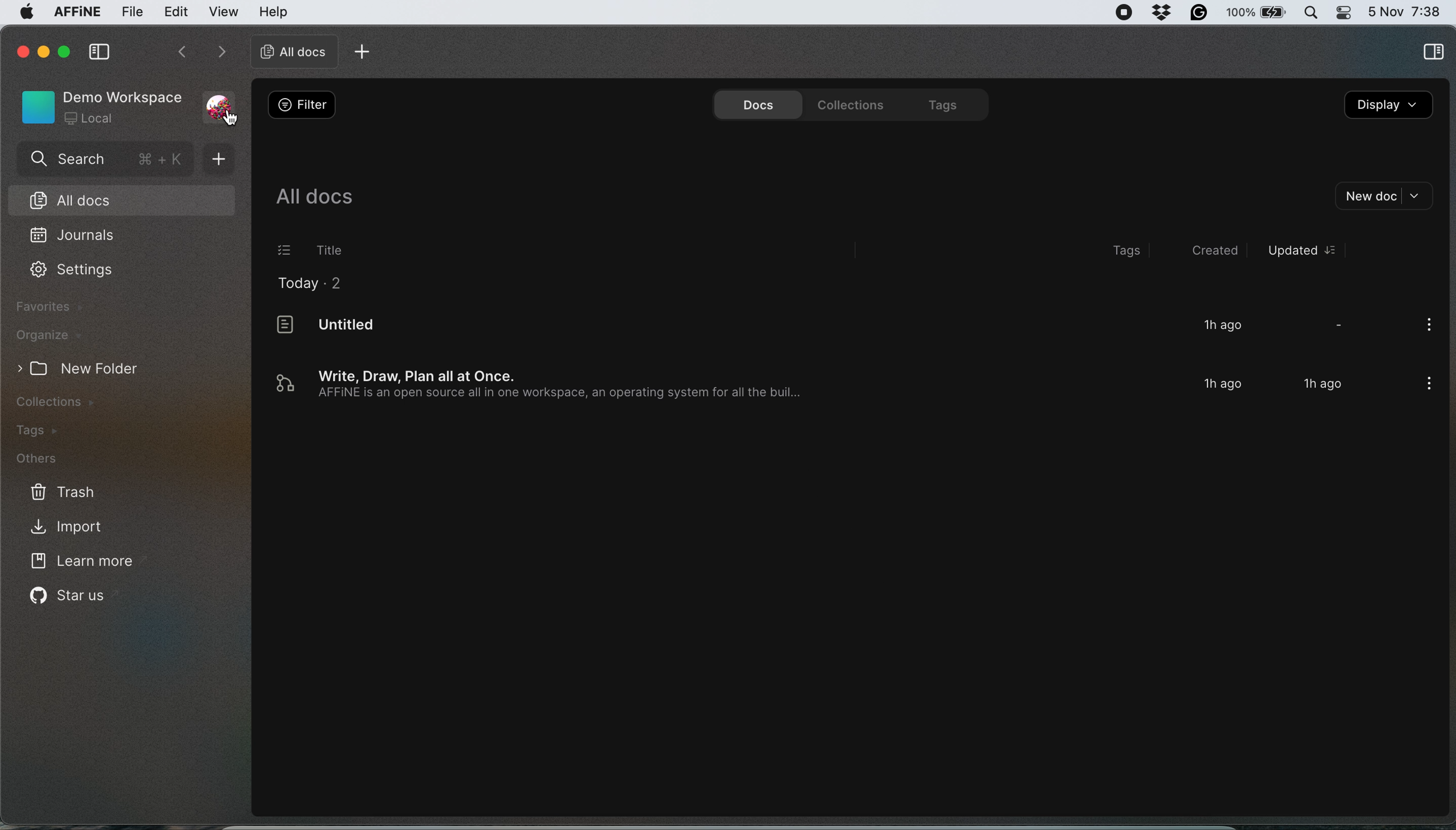 The image size is (1456, 830). I want to click on collections, so click(847, 103).